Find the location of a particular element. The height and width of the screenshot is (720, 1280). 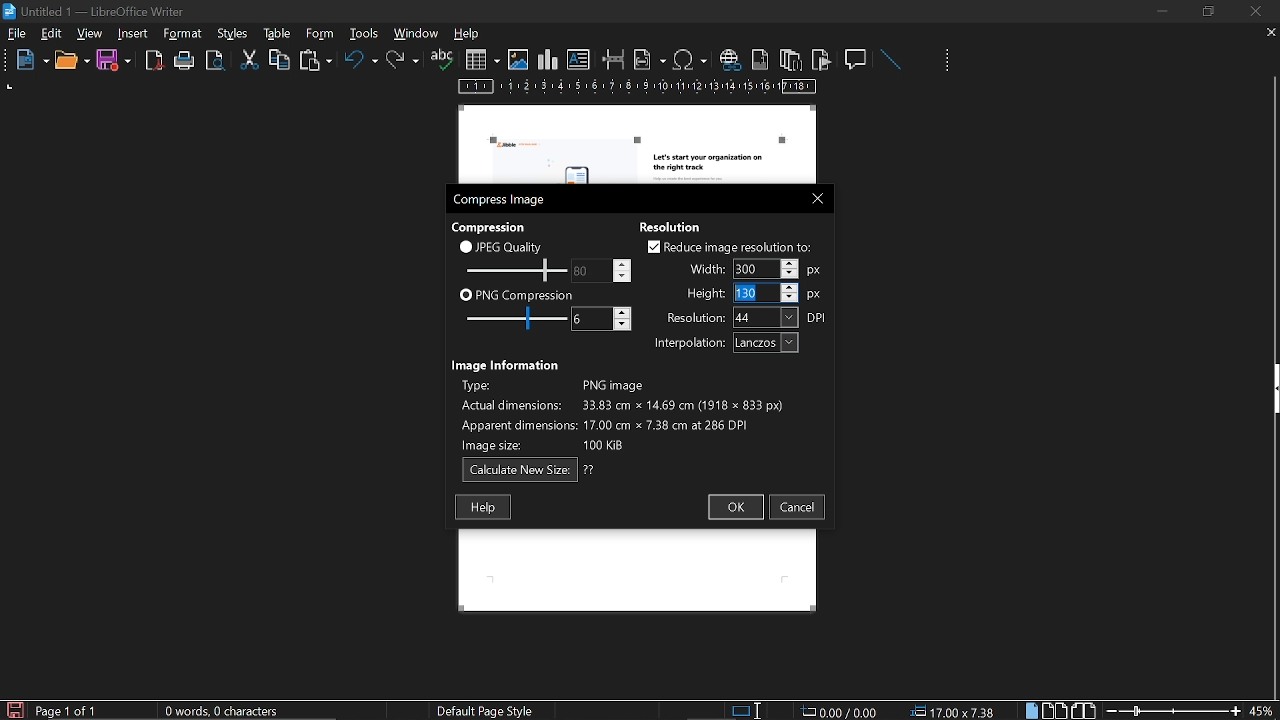

cut  is located at coordinates (250, 60).